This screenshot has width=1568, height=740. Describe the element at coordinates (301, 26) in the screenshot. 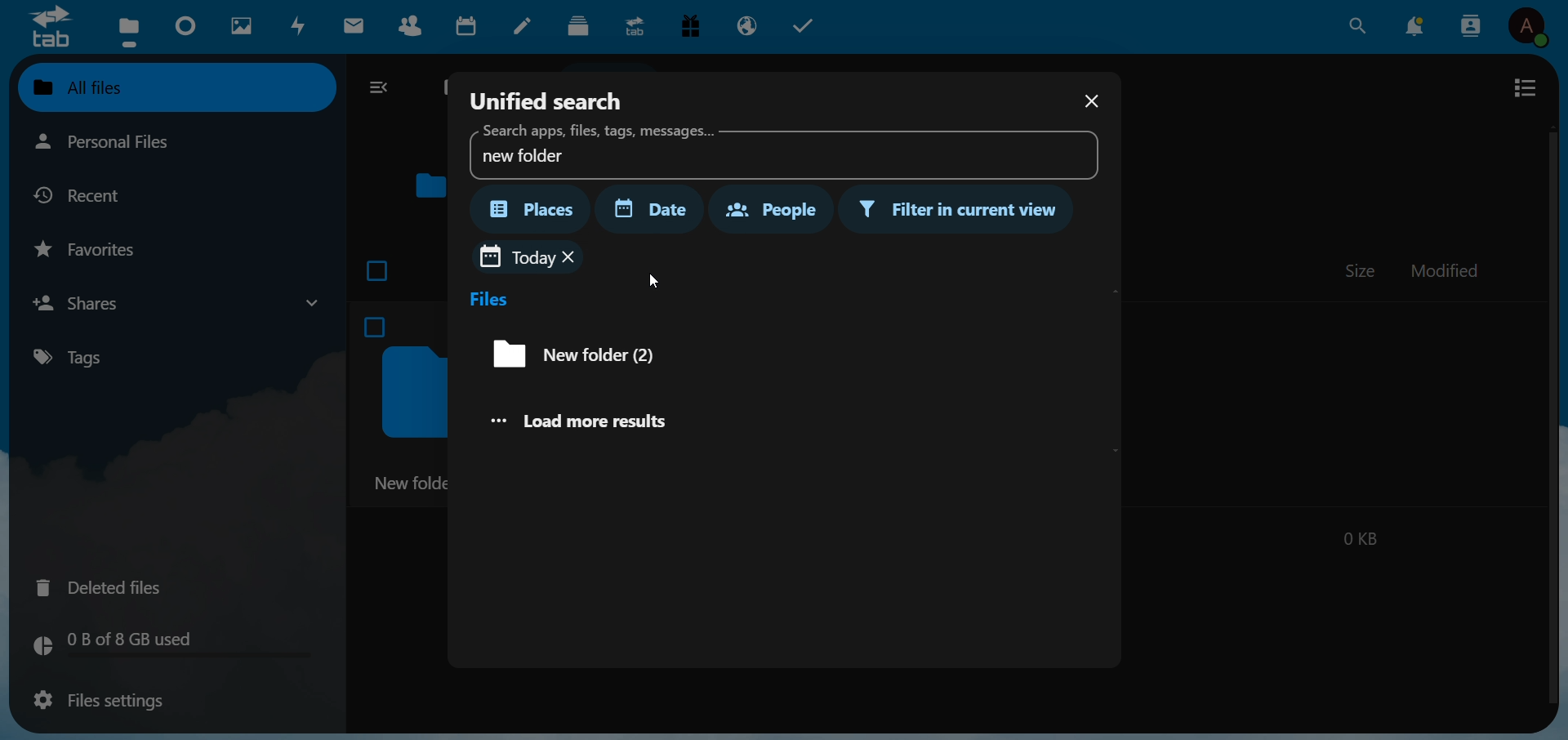

I see `activity` at that location.